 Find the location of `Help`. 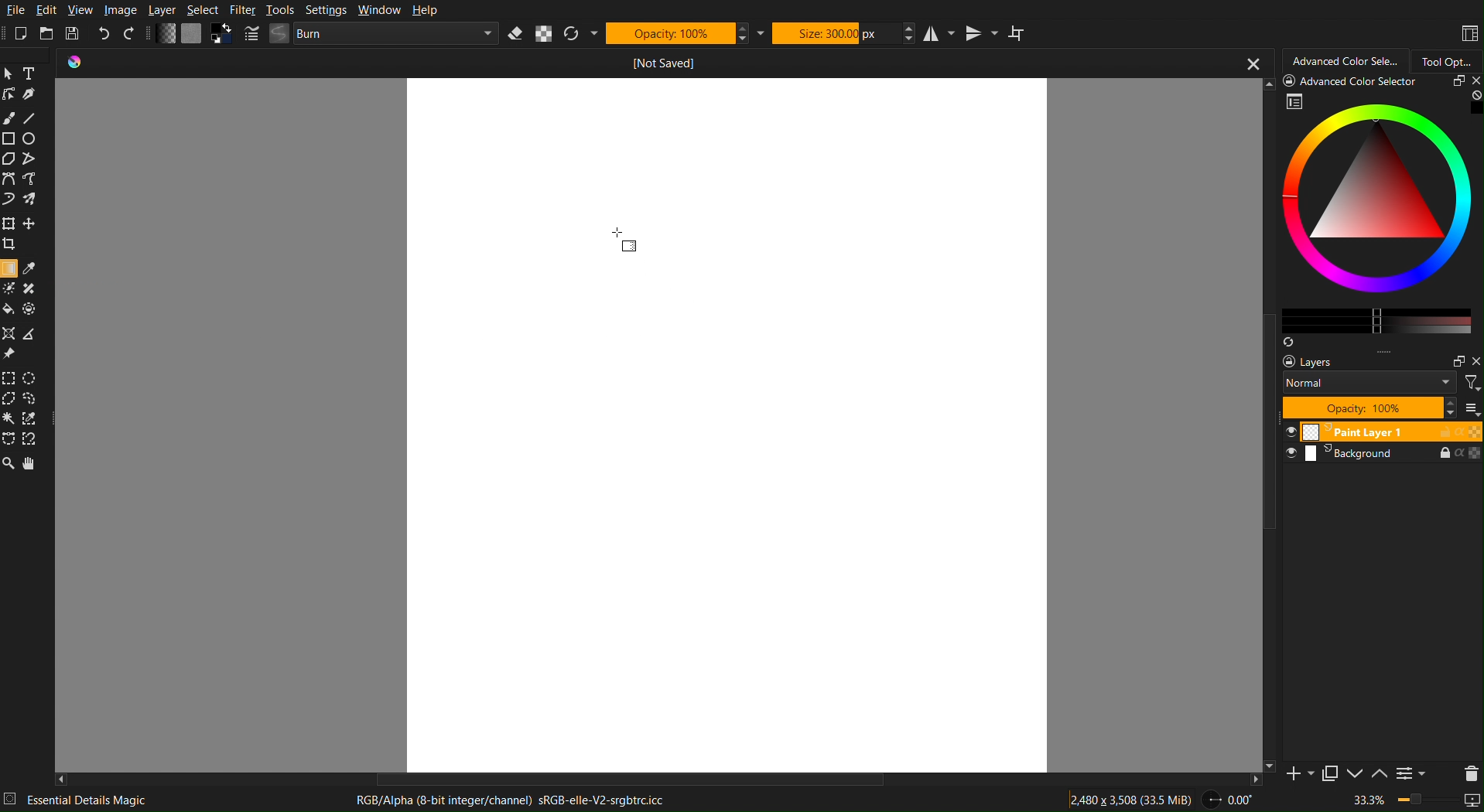

Help is located at coordinates (422, 11).